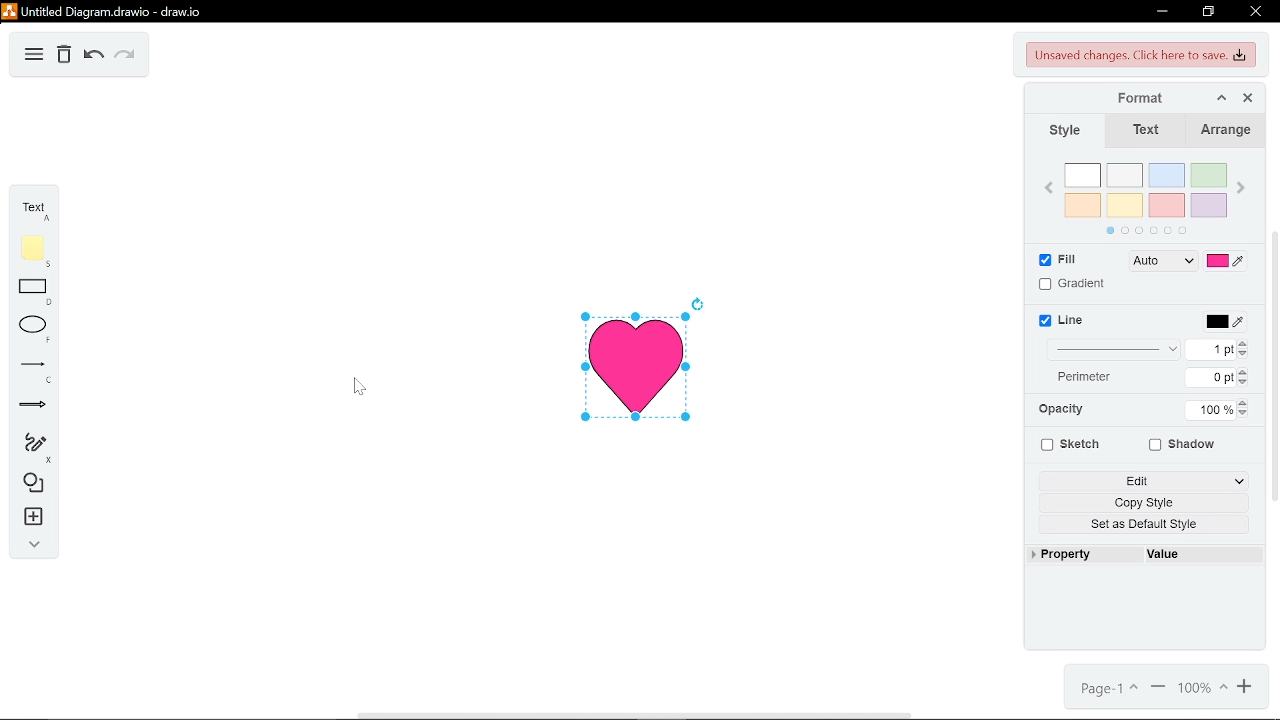 The width and height of the screenshot is (1280, 720). What do you see at coordinates (1142, 56) in the screenshot?
I see `unsaved changes. Click here to save` at bounding box center [1142, 56].